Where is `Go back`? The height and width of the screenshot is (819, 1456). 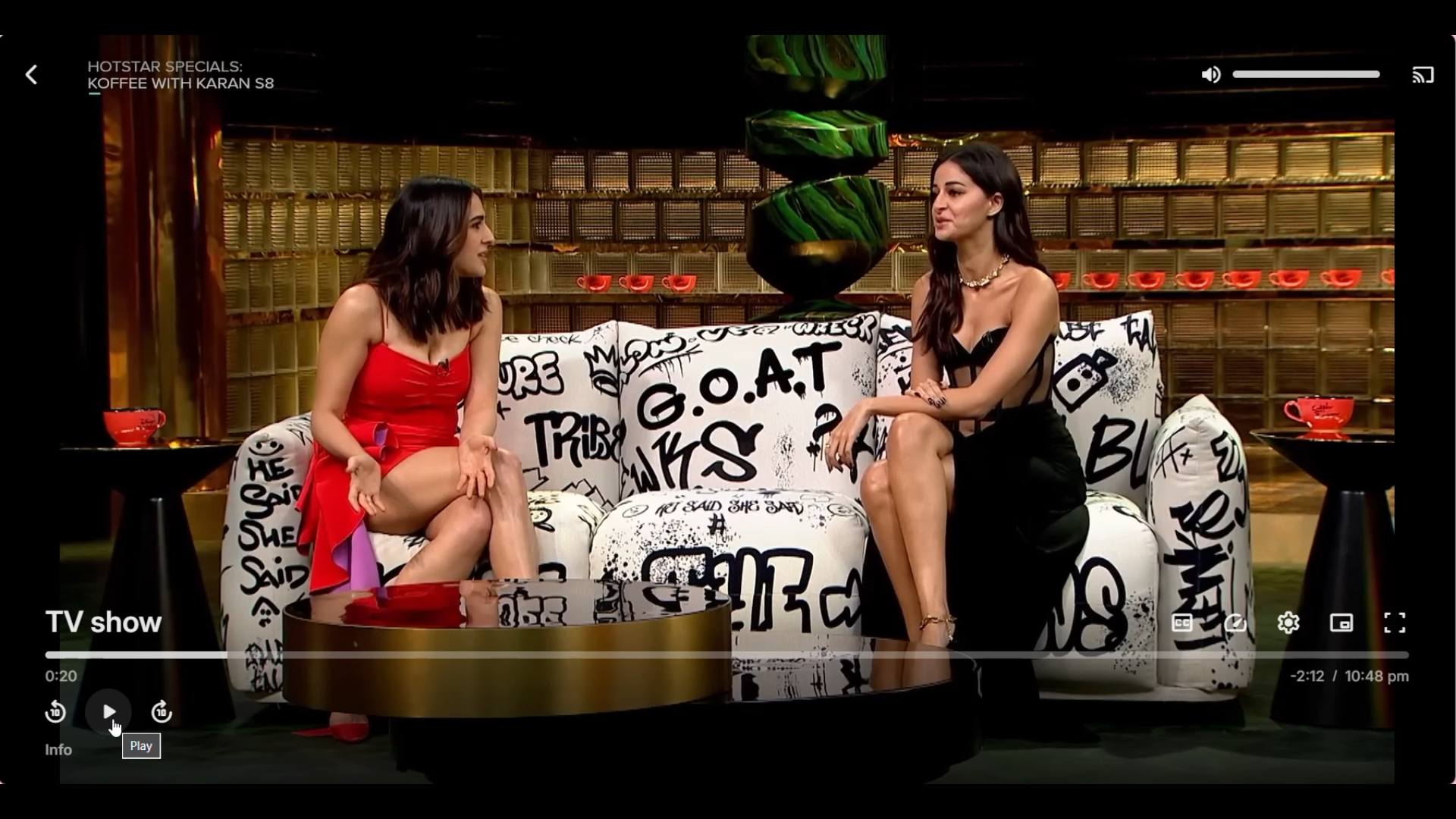 Go back is located at coordinates (33, 74).